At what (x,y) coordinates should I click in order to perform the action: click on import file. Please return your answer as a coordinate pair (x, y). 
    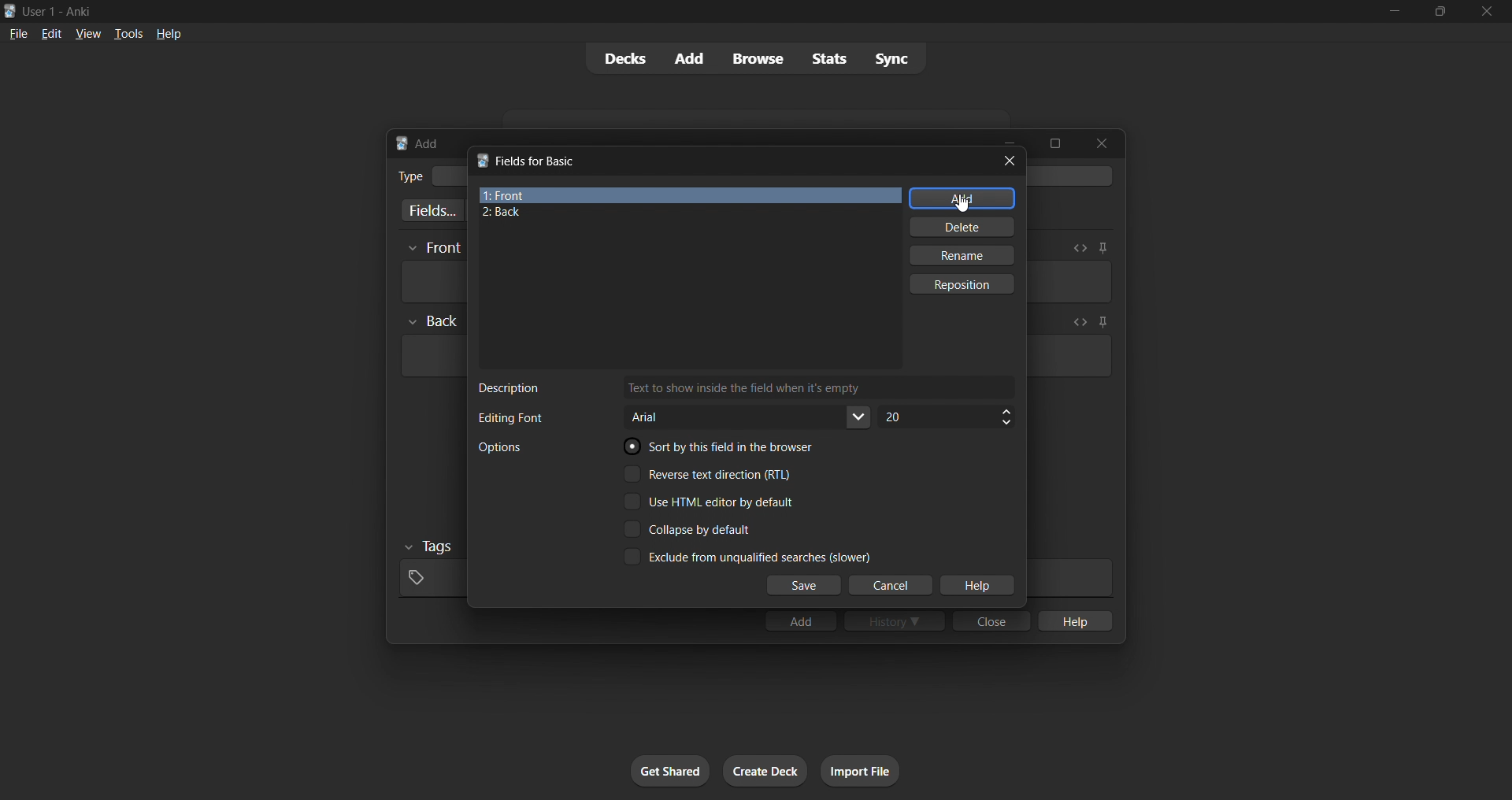
    Looking at the image, I should click on (860, 771).